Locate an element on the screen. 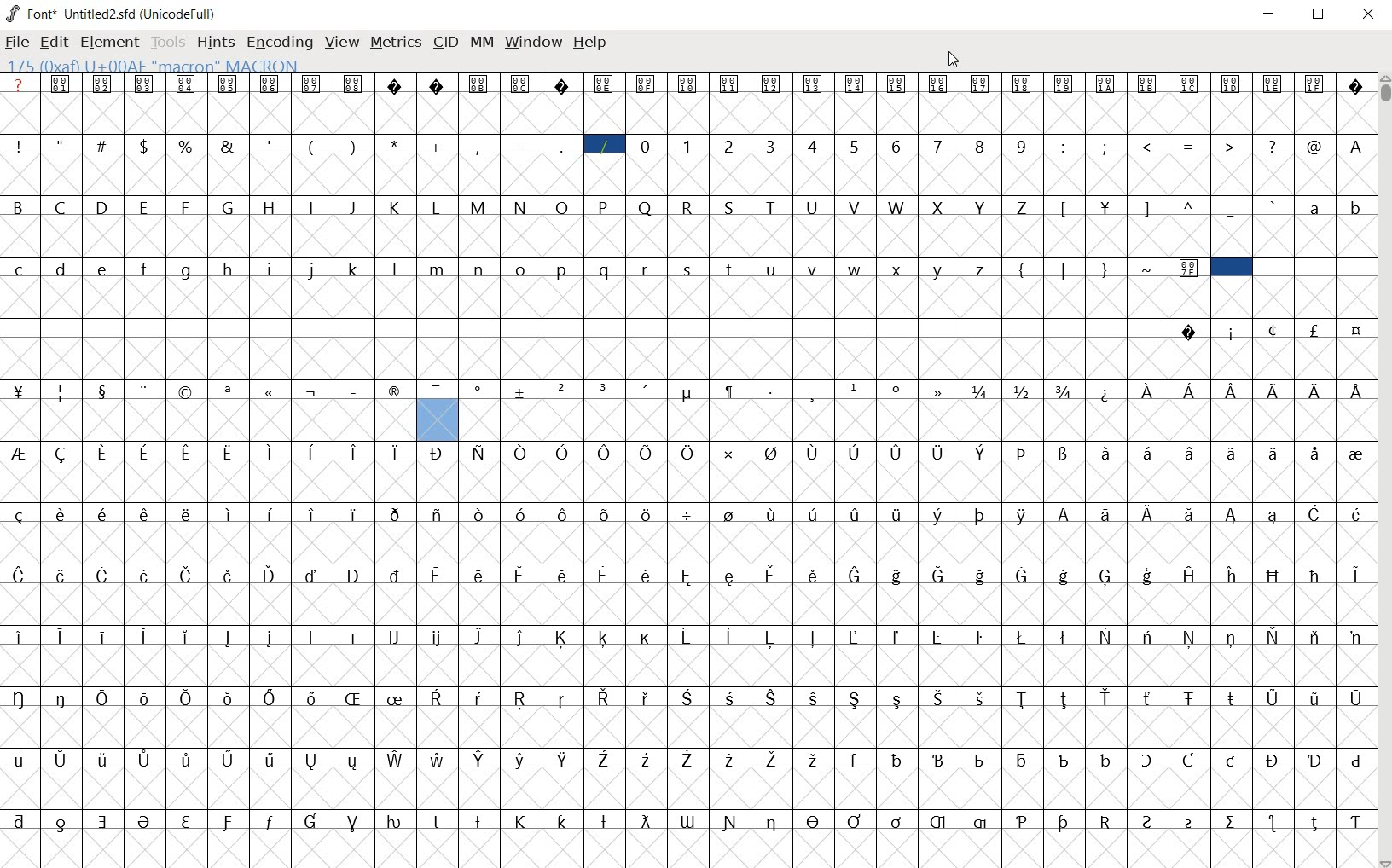 The image size is (1392, 868). Symbol is located at coordinates (63, 819).